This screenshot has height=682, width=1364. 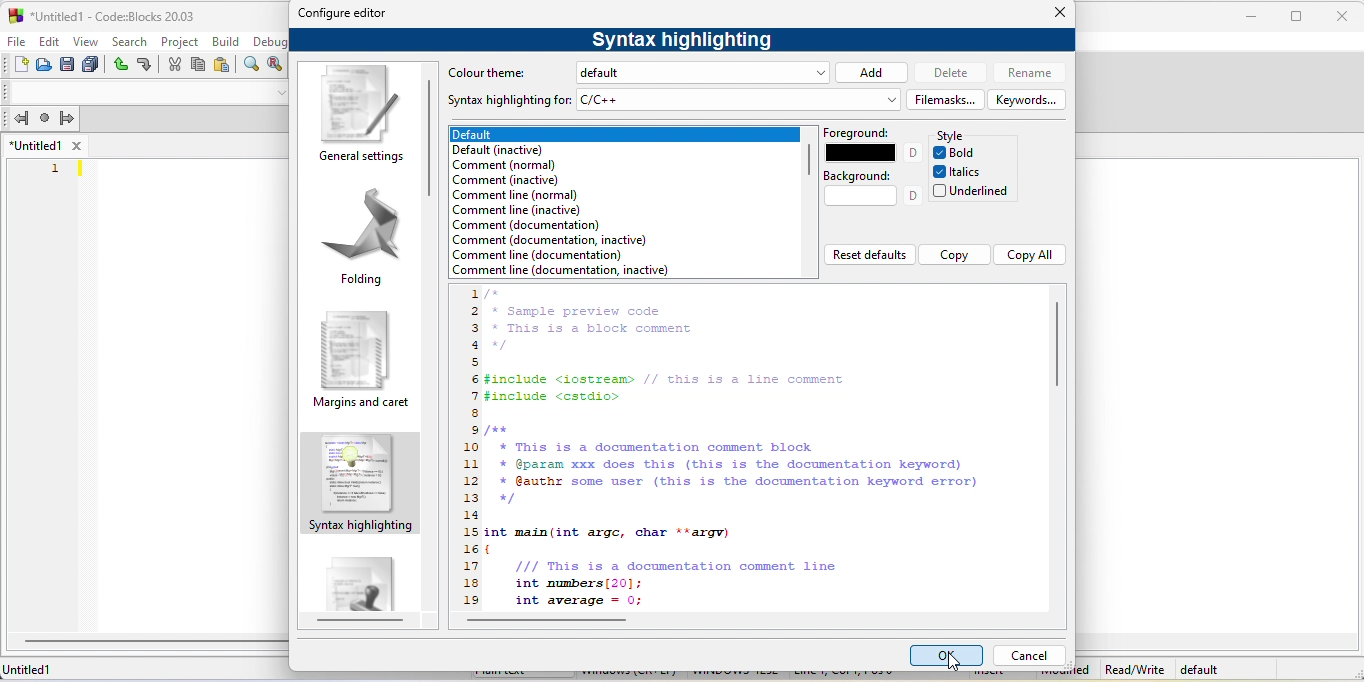 I want to click on comment line normal, so click(x=516, y=195).